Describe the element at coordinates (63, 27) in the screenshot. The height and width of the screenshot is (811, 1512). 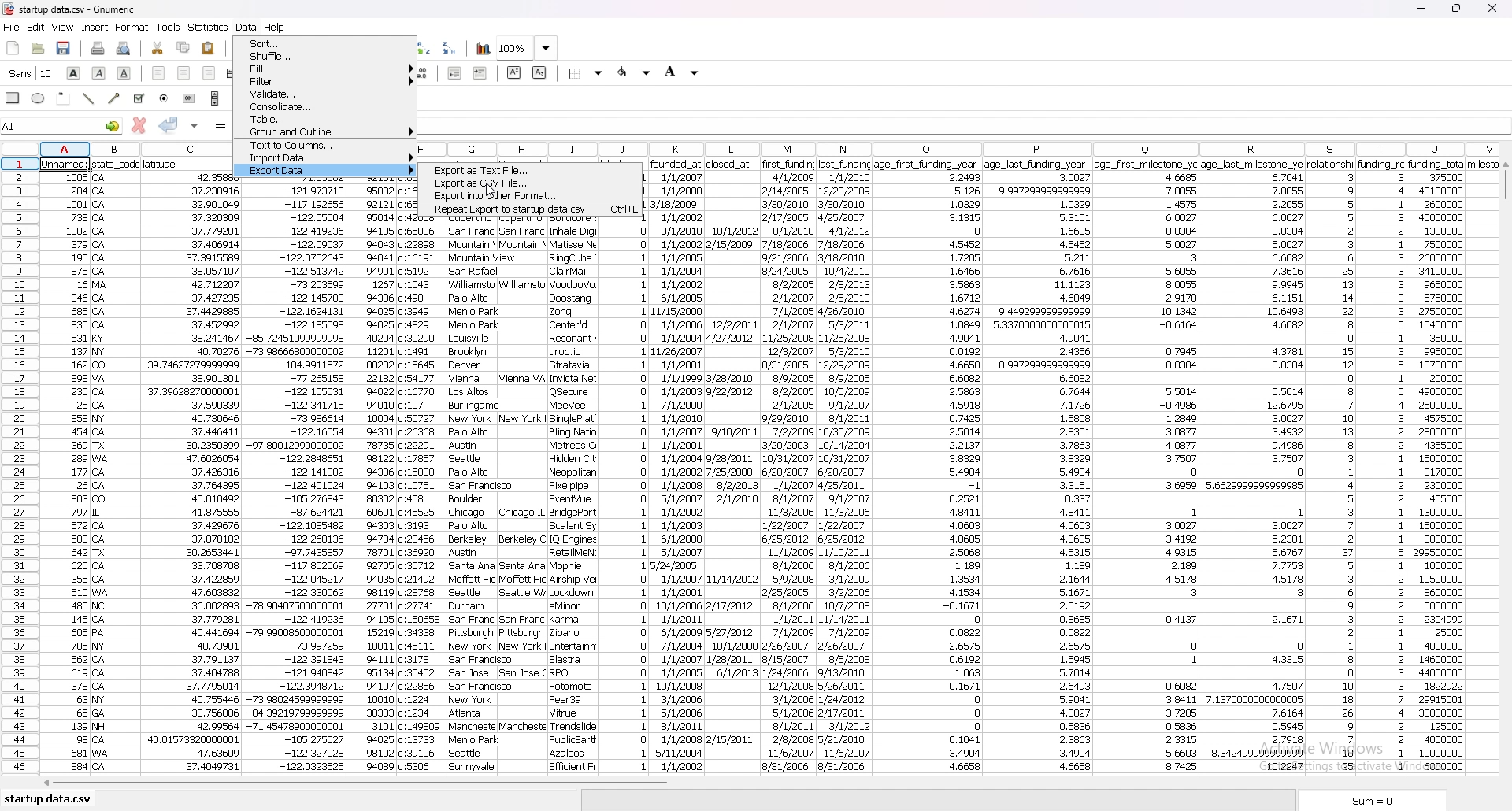
I see `view` at that location.